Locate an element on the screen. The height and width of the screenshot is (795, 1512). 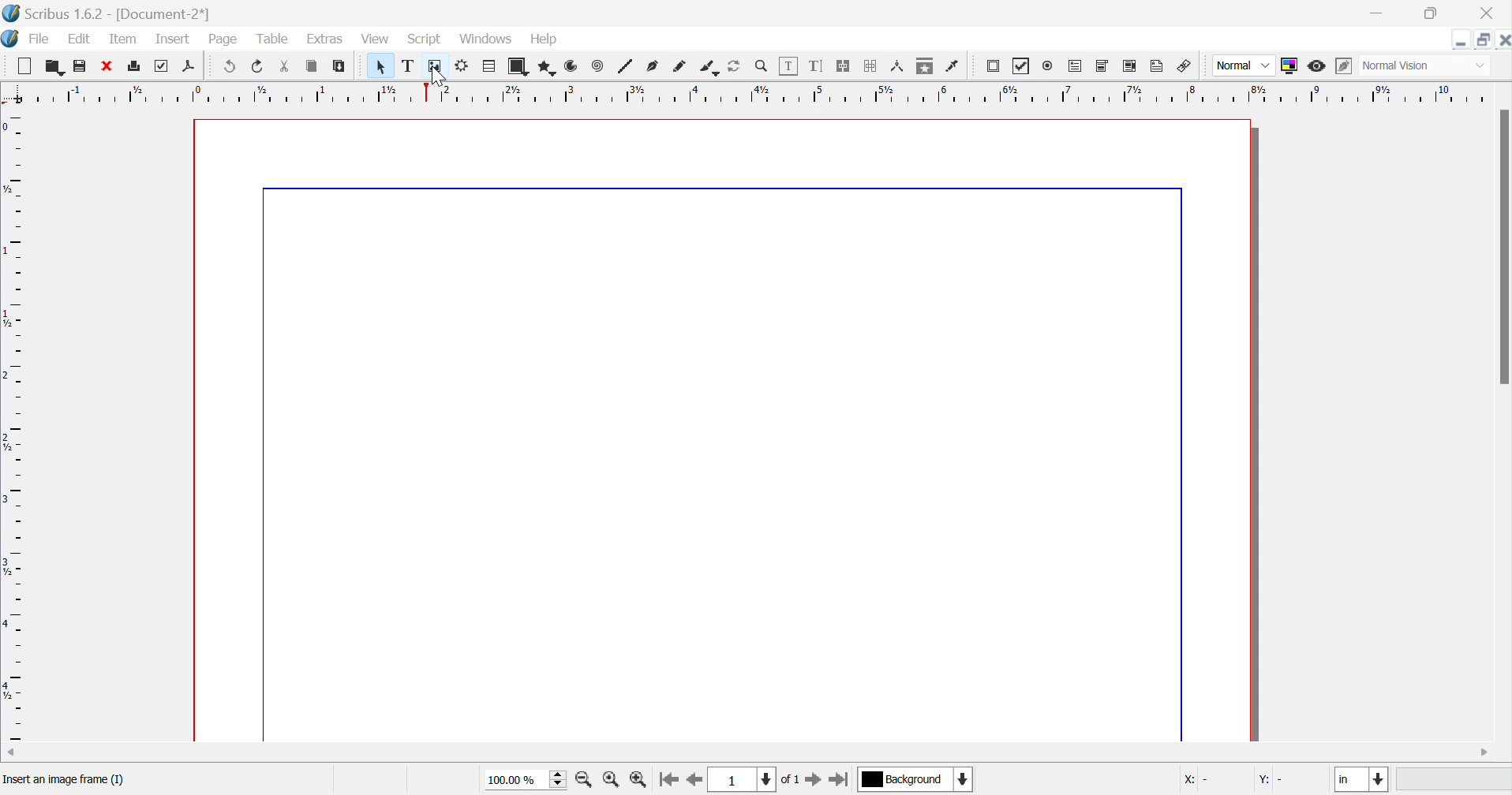
PDF push button is located at coordinates (995, 68).